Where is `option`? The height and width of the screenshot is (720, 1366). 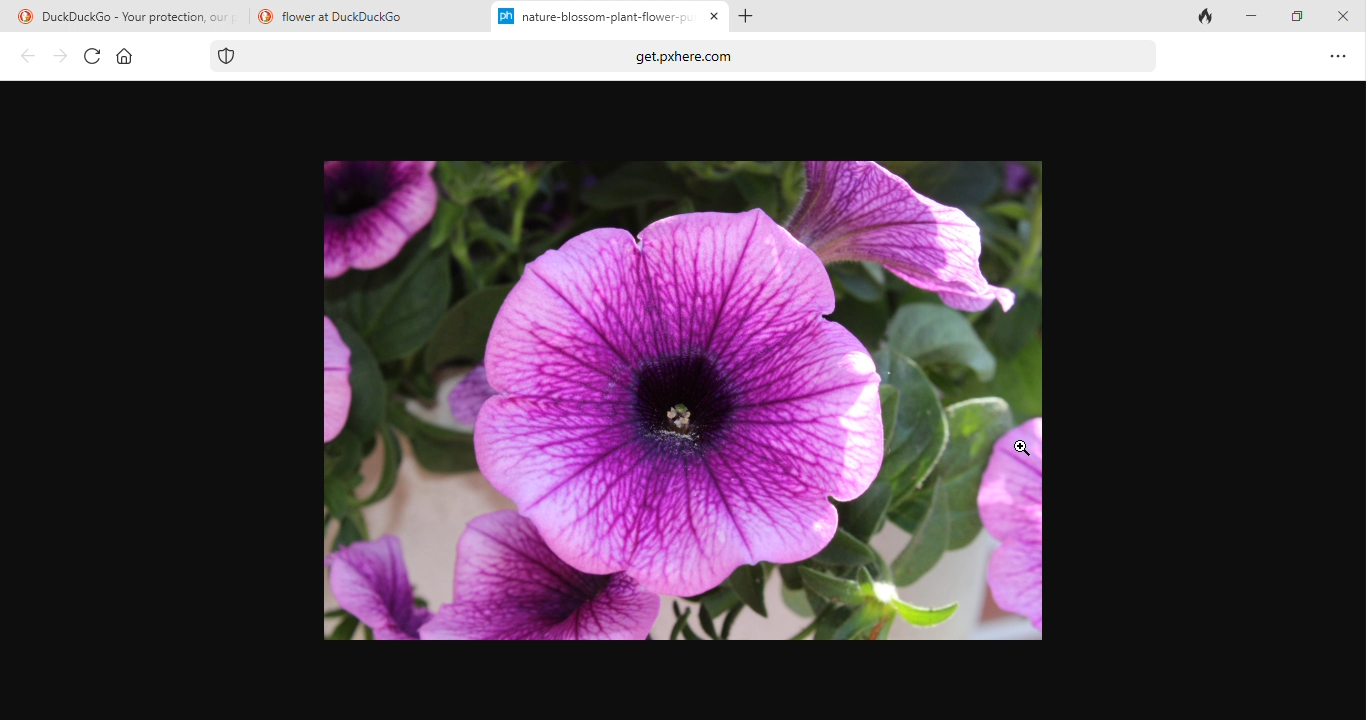 option is located at coordinates (1339, 58).